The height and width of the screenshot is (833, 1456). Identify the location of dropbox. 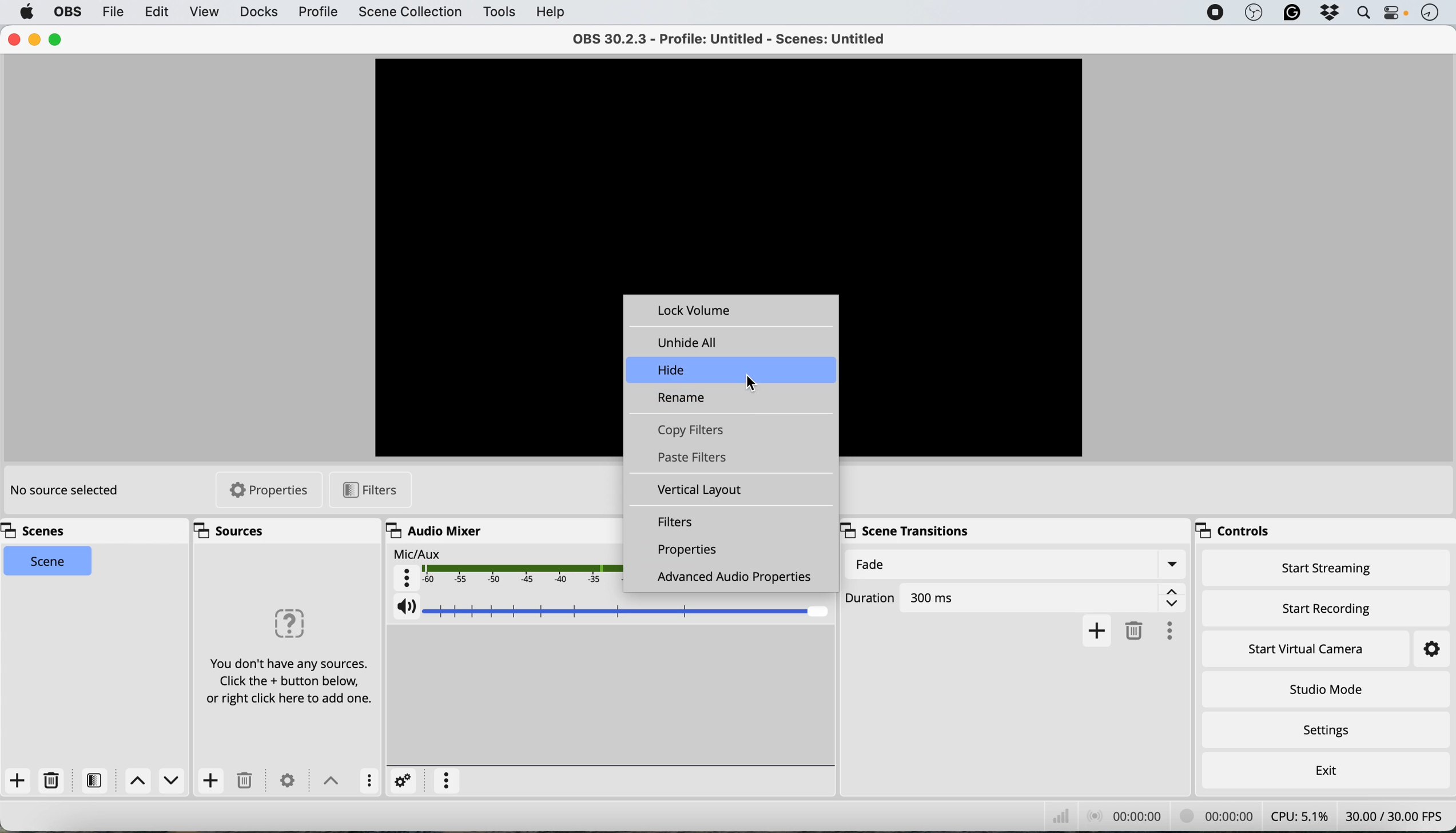
(1330, 14).